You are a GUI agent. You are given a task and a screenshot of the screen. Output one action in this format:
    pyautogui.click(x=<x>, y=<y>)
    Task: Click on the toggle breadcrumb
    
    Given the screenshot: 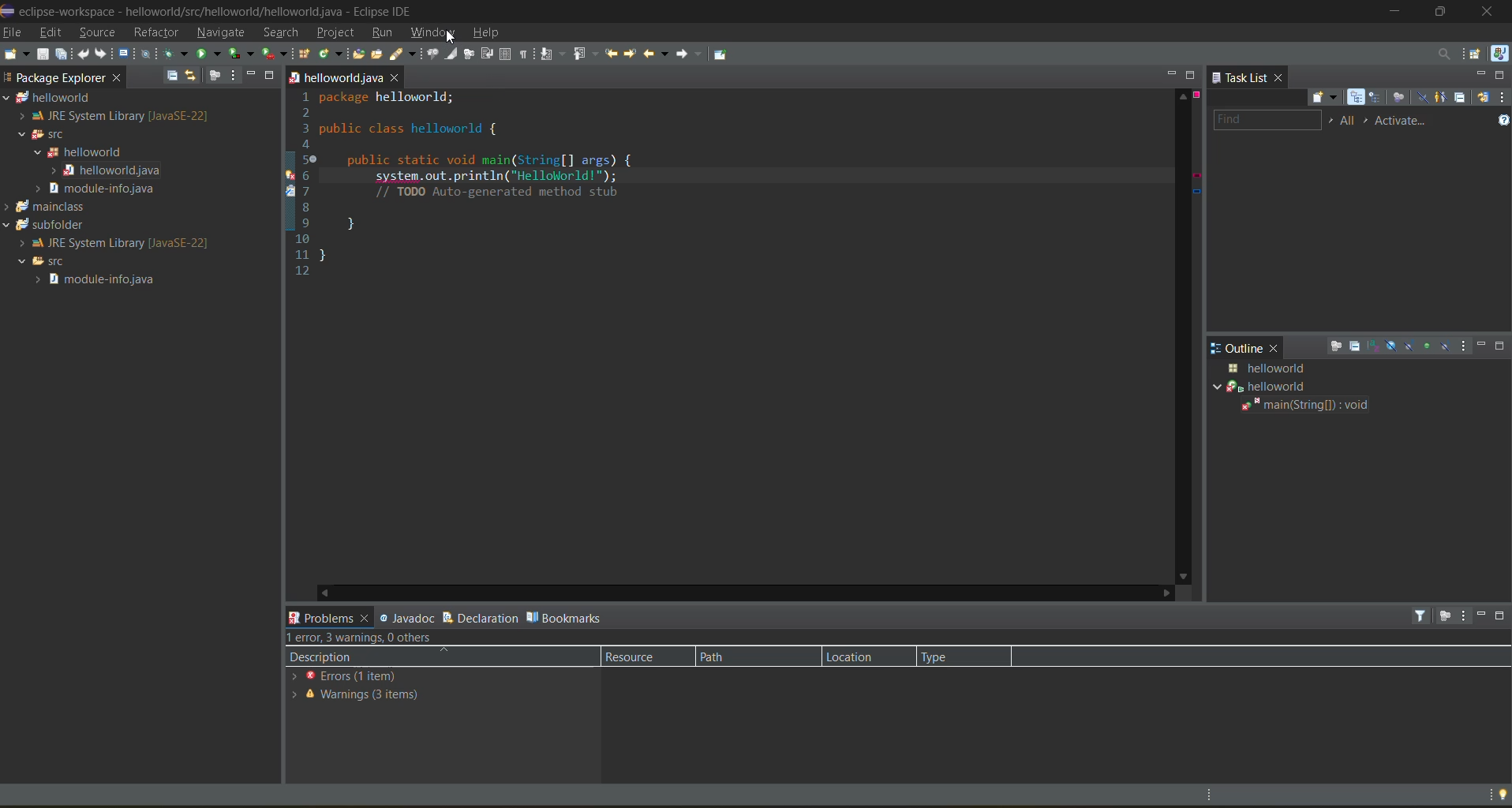 What is the action you would take?
    pyautogui.click(x=434, y=54)
    